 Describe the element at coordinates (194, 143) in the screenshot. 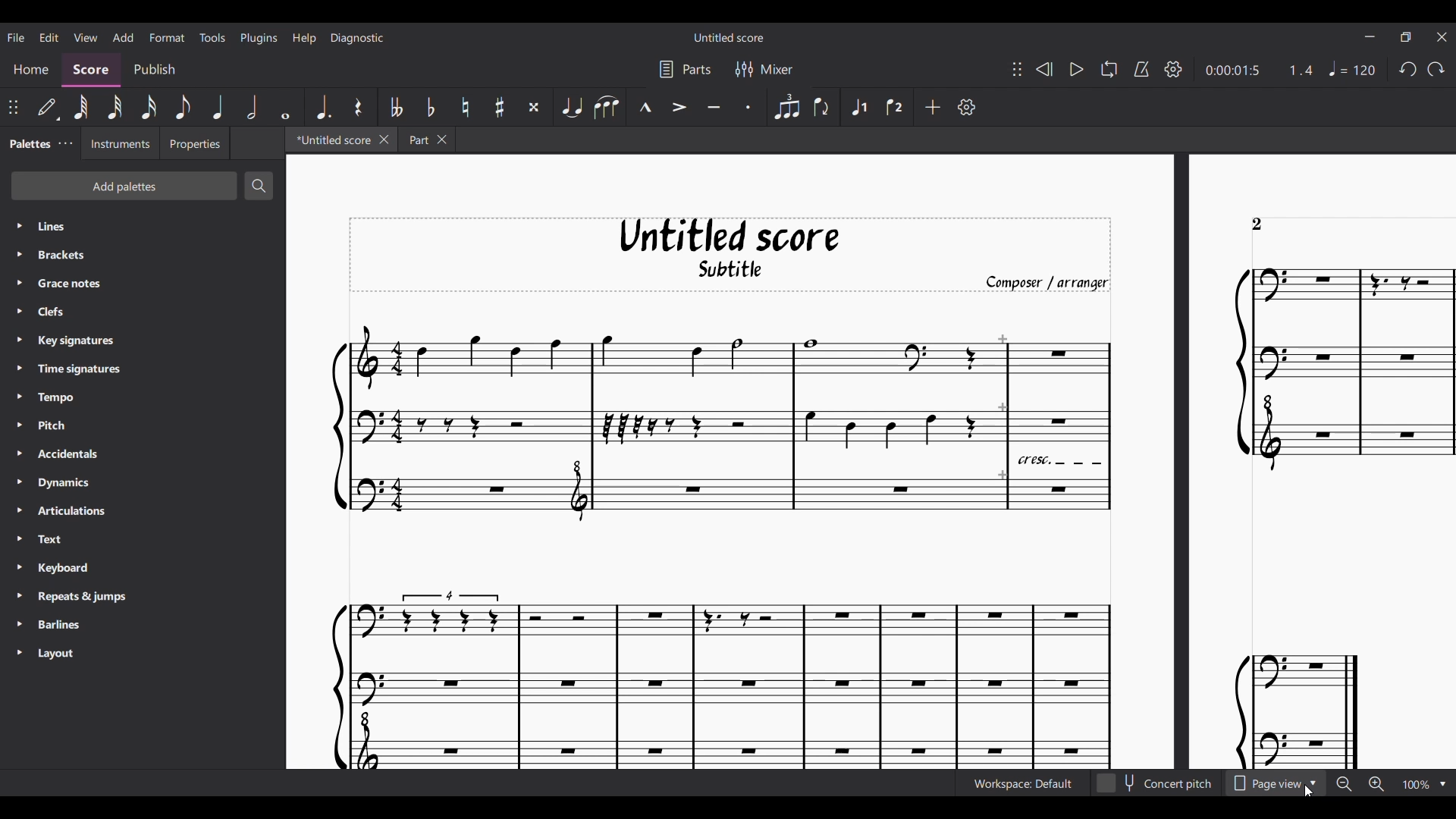

I see `Properties setting tab` at that location.